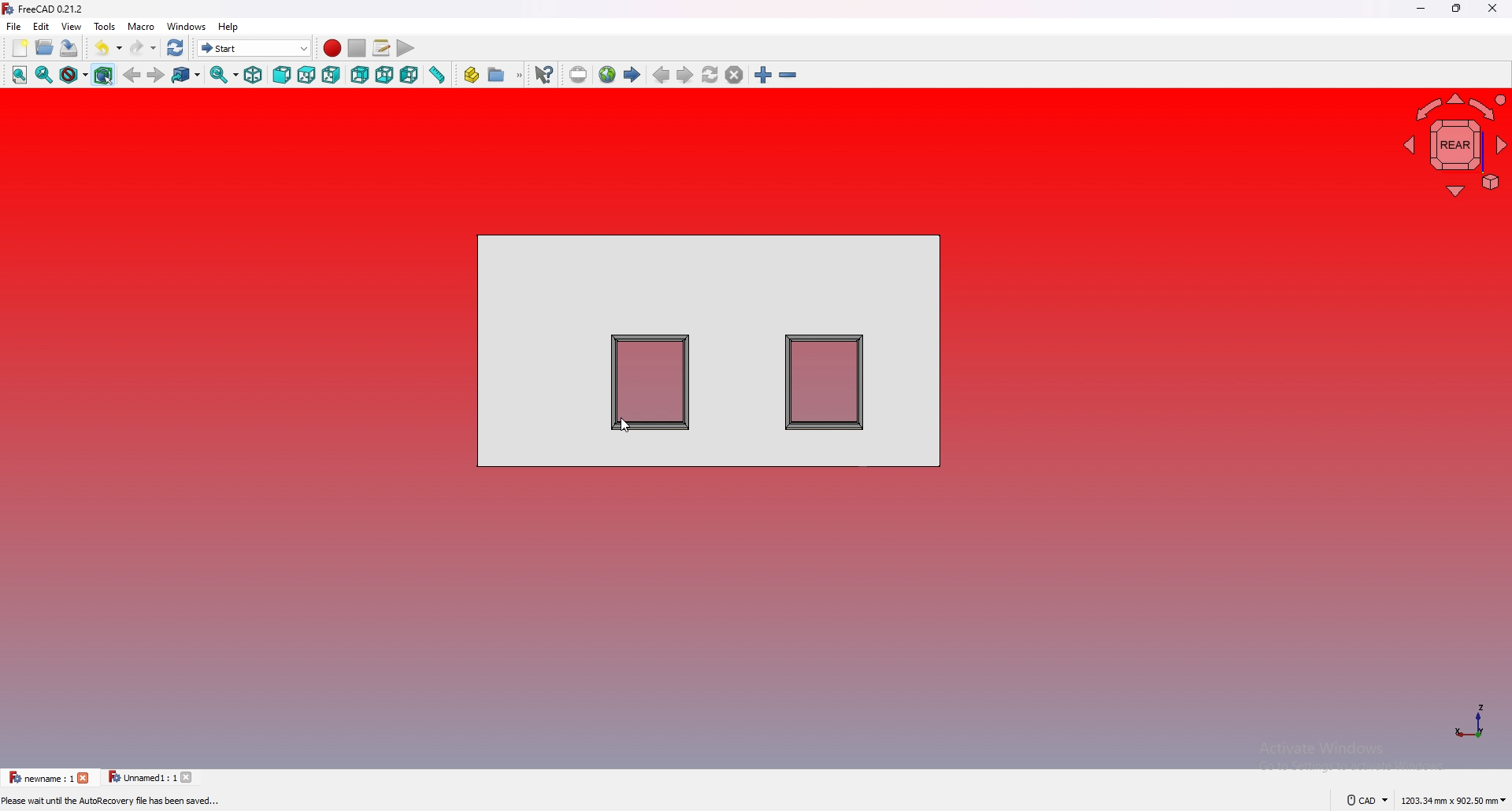  Describe the element at coordinates (735, 75) in the screenshot. I see `stop loading` at that location.